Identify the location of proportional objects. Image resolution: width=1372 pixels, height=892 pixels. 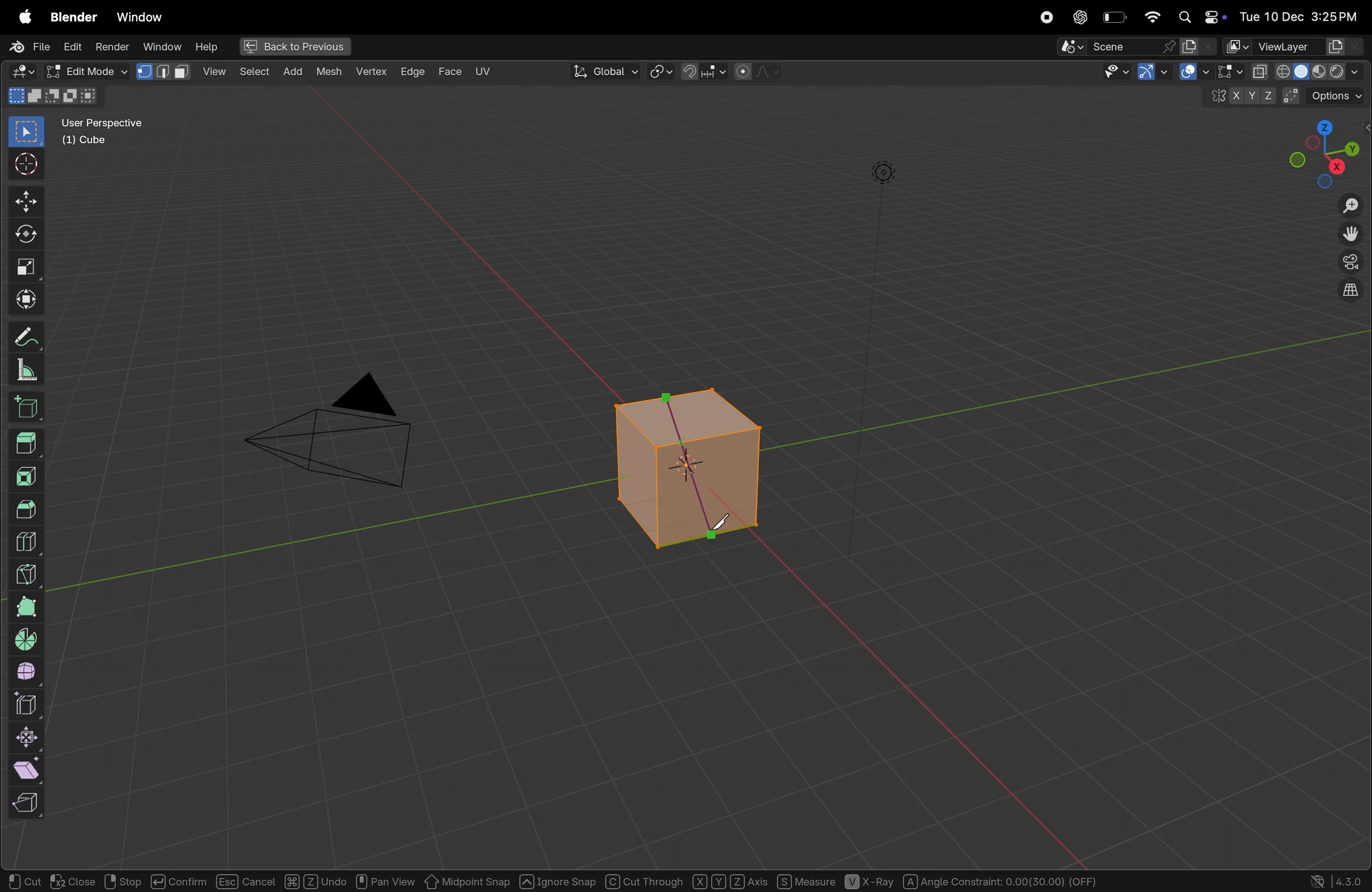
(758, 72).